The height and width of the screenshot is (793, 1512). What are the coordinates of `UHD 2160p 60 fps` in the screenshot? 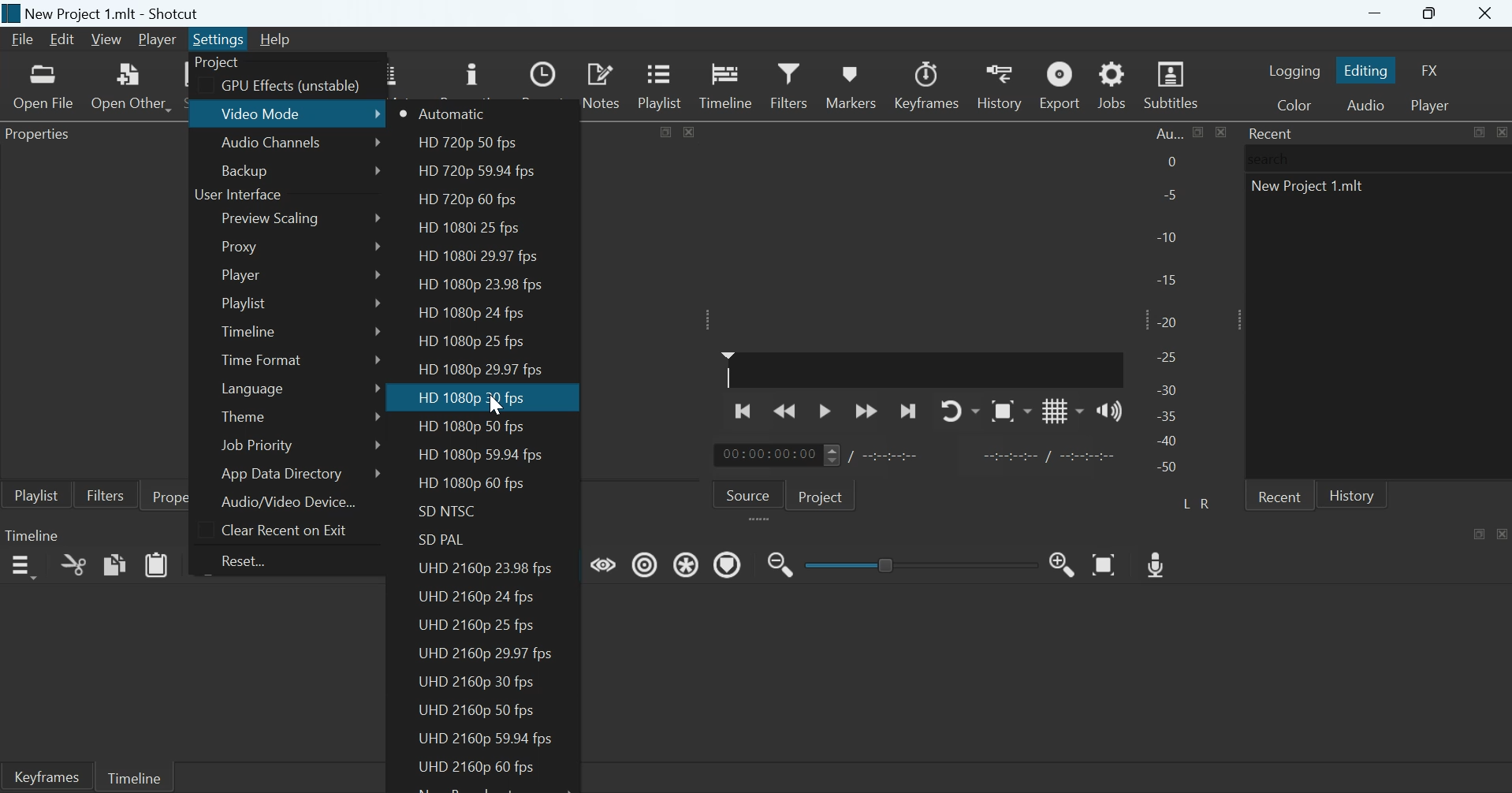 It's located at (471, 767).